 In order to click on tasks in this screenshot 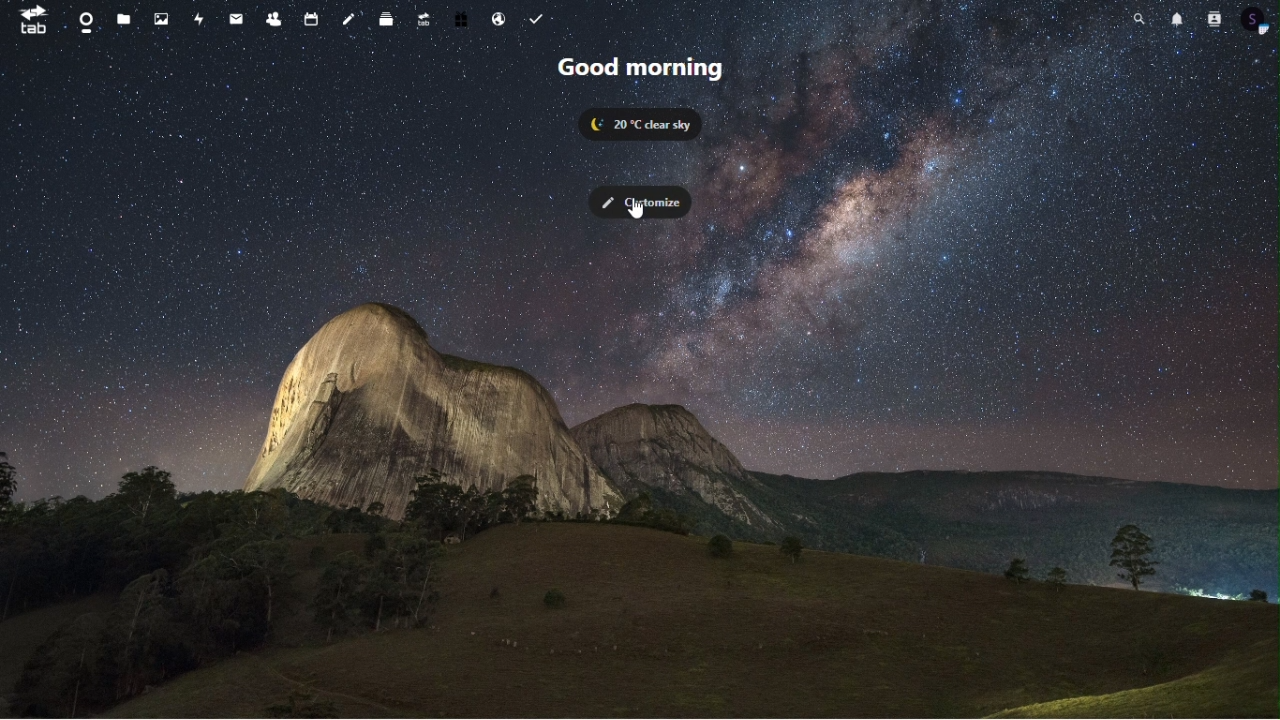, I will do `click(536, 17)`.